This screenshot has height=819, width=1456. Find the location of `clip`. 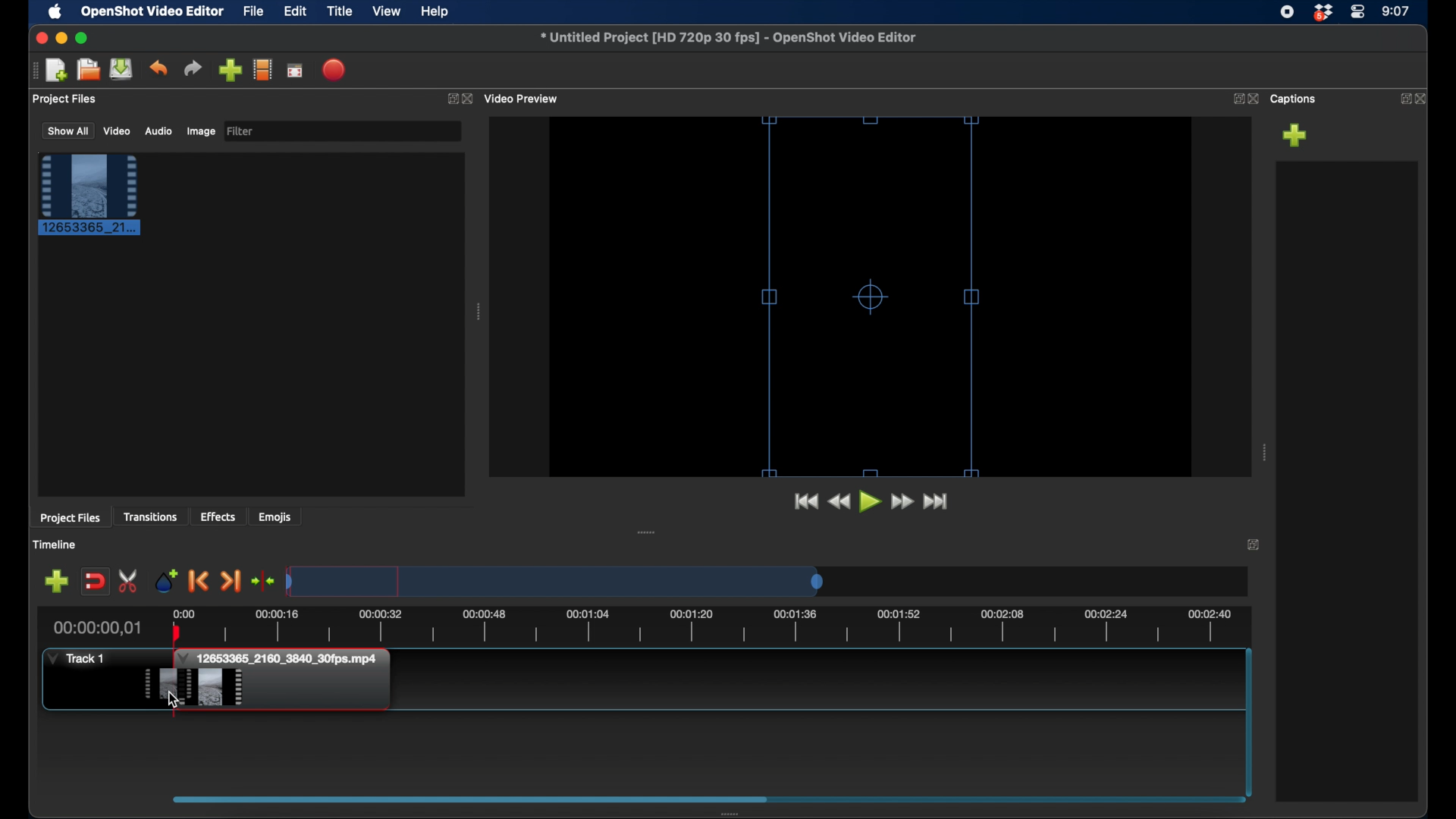

clip is located at coordinates (288, 681).